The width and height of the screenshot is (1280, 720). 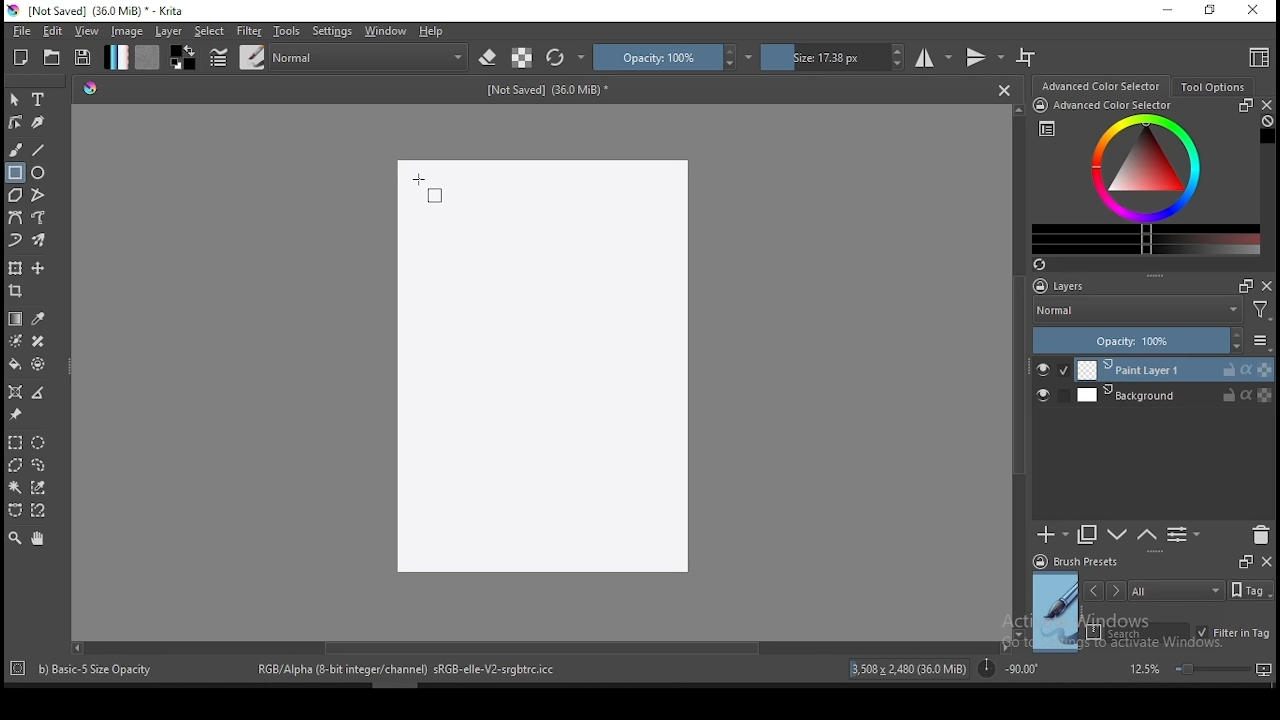 I want to click on Target, so click(x=19, y=669).